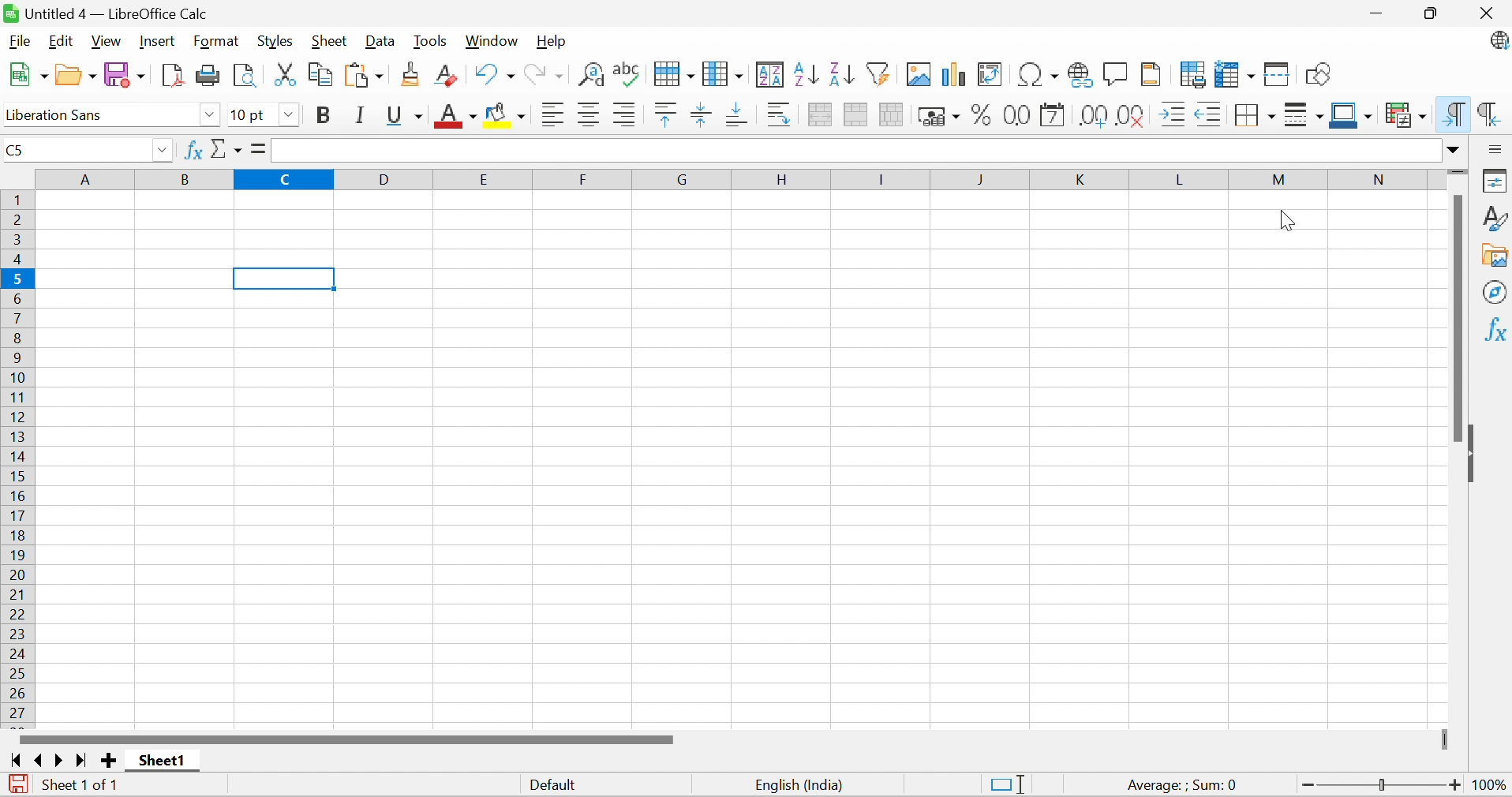  I want to click on Sheet, so click(330, 41).